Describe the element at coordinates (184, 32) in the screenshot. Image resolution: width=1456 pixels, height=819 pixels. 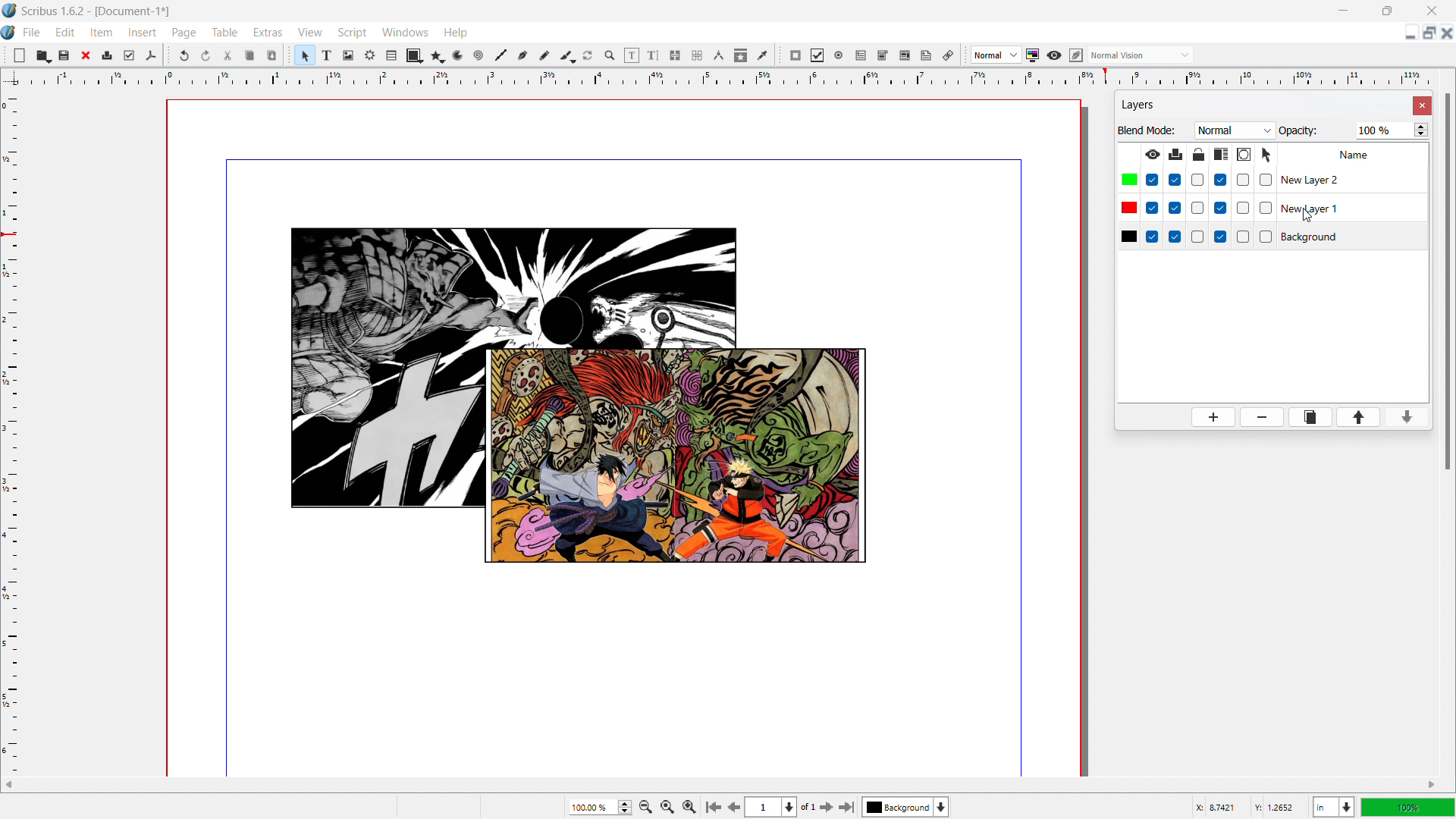
I see `page` at that location.